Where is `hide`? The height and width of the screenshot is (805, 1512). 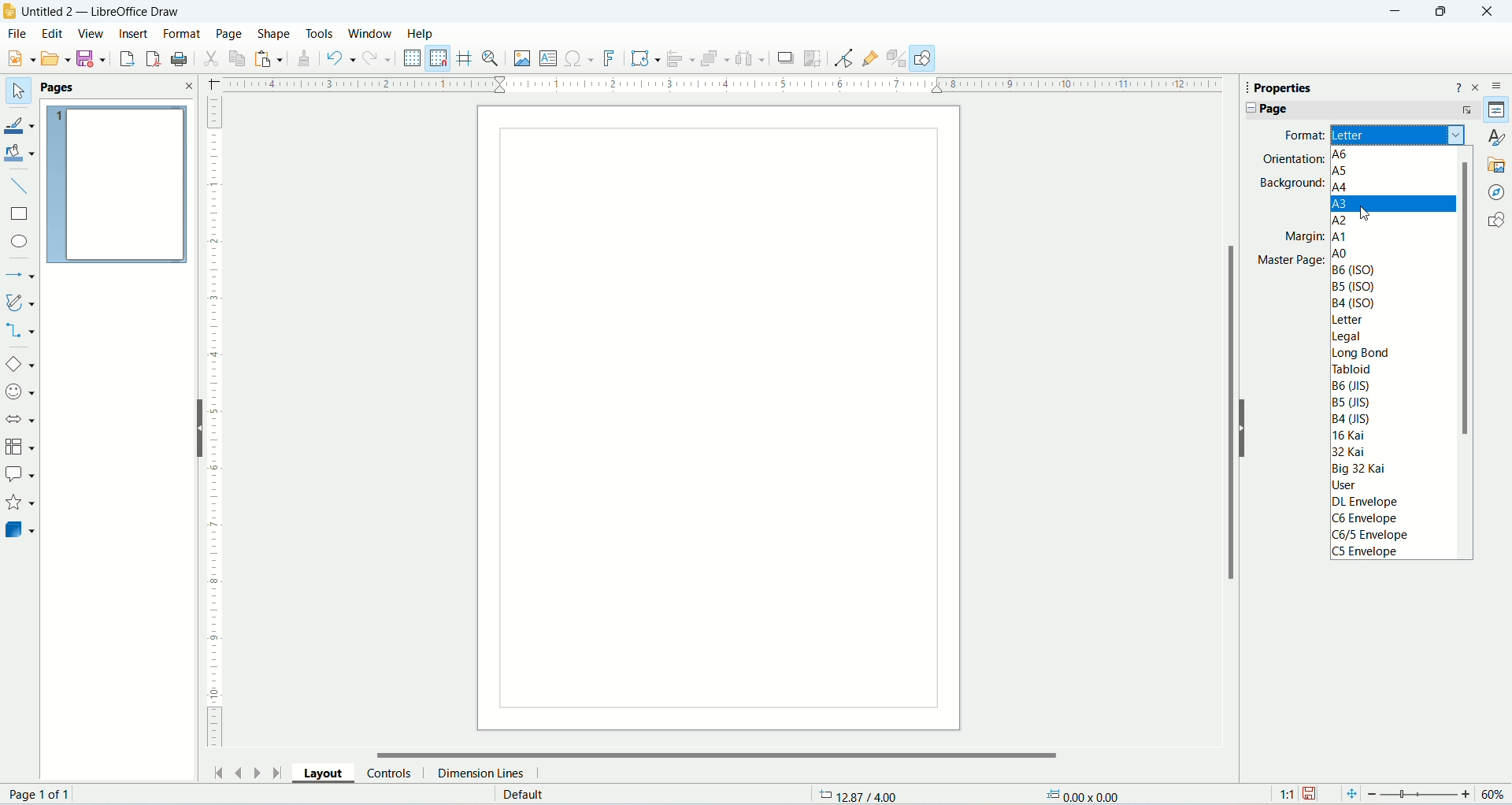 hide is located at coordinates (197, 427).